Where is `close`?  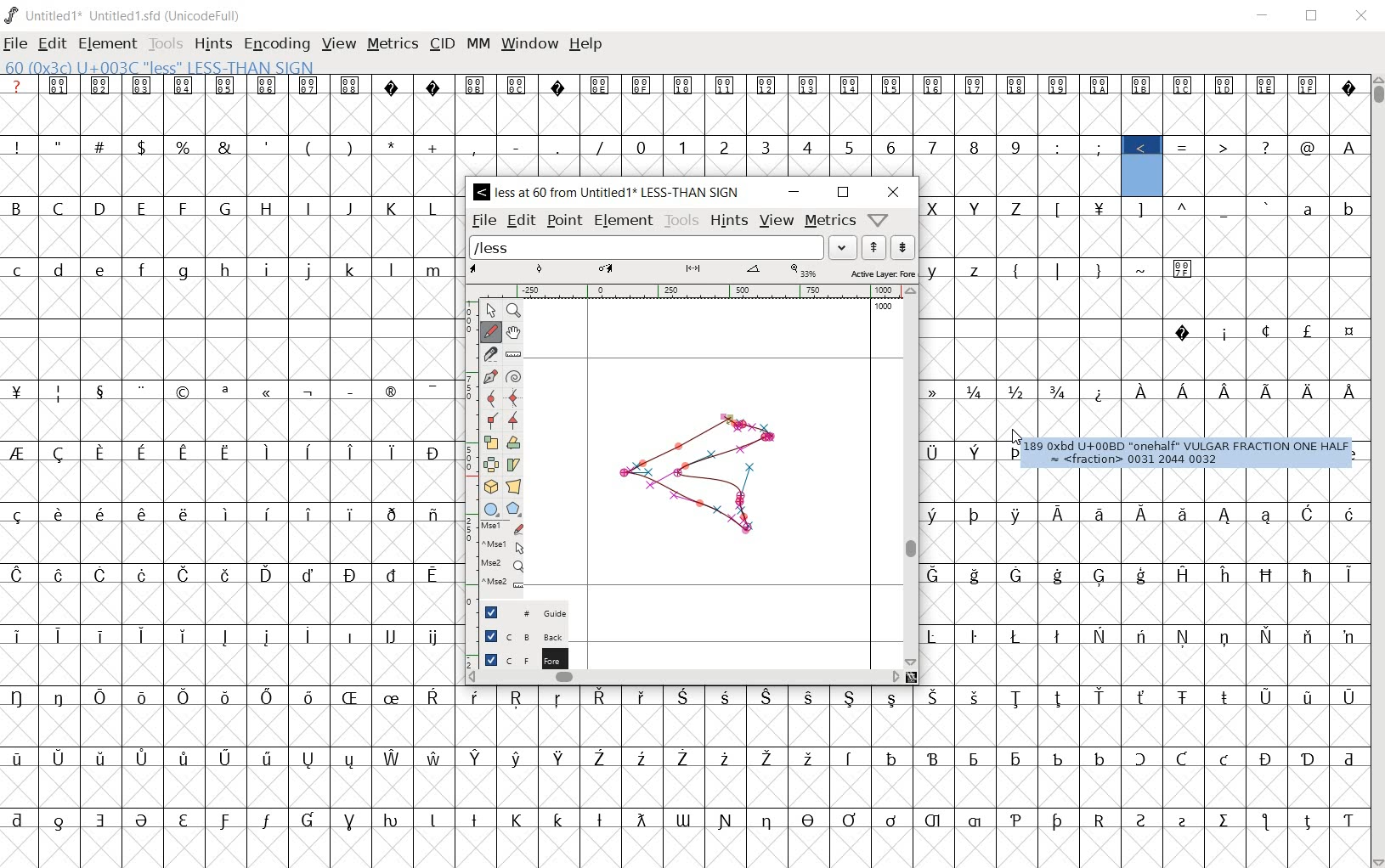 close is located at coordinates (1363, 17).